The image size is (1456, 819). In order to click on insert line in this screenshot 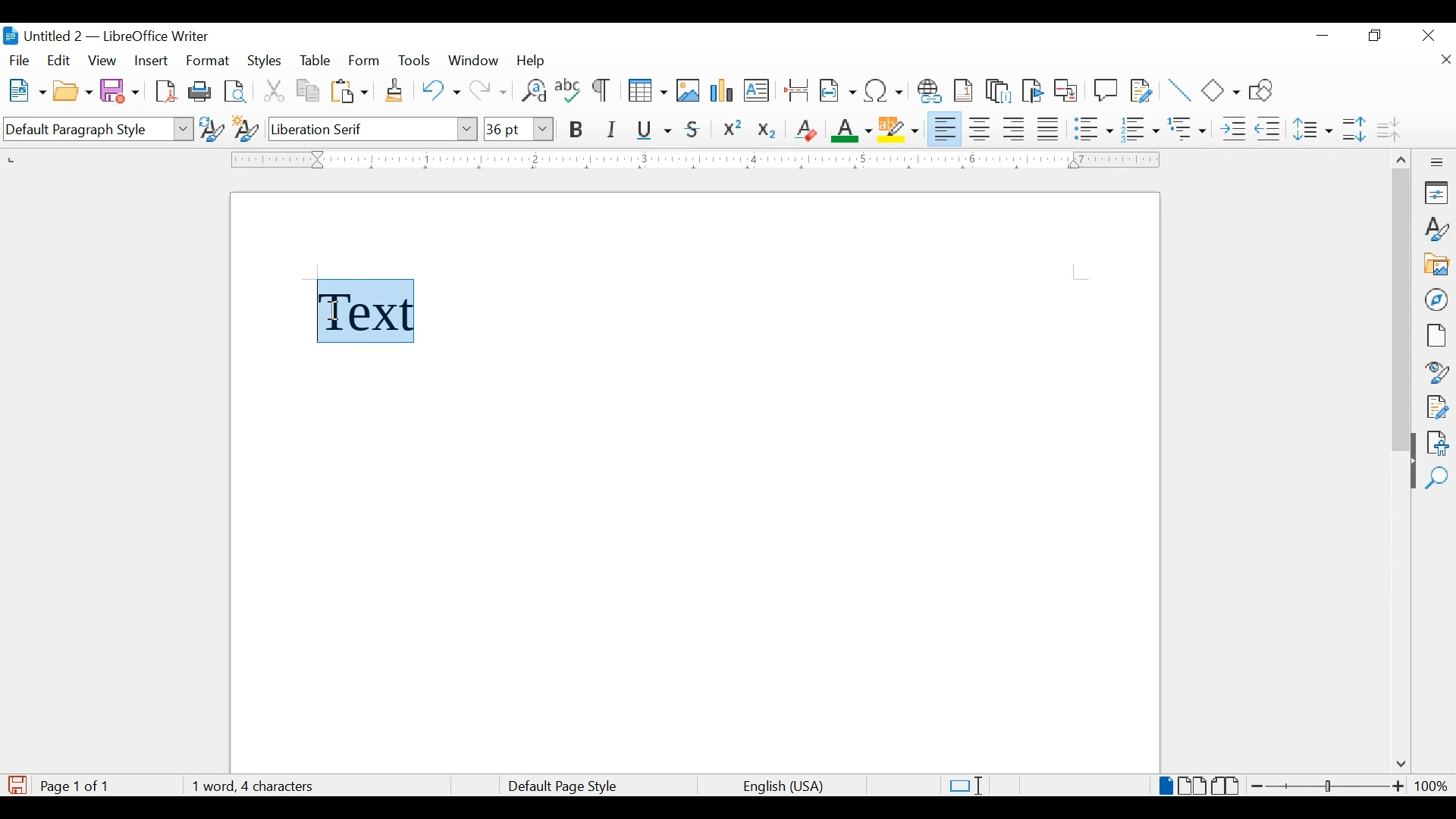, I will do `click(1180, 90)`.